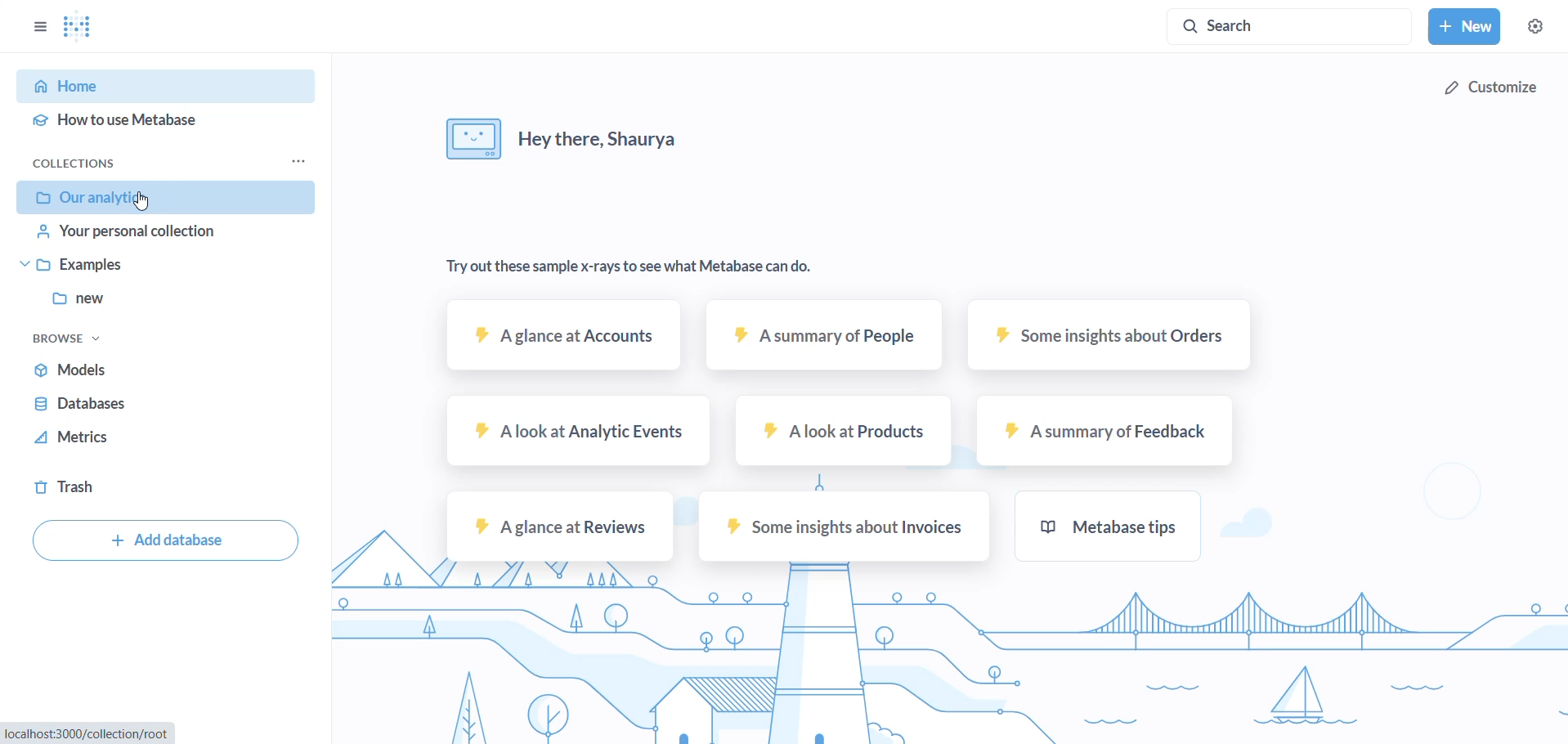 The image size is (1568, 744). I want to click on Try out these sample x-rays to see what Metabase can do., so click(620, 263).